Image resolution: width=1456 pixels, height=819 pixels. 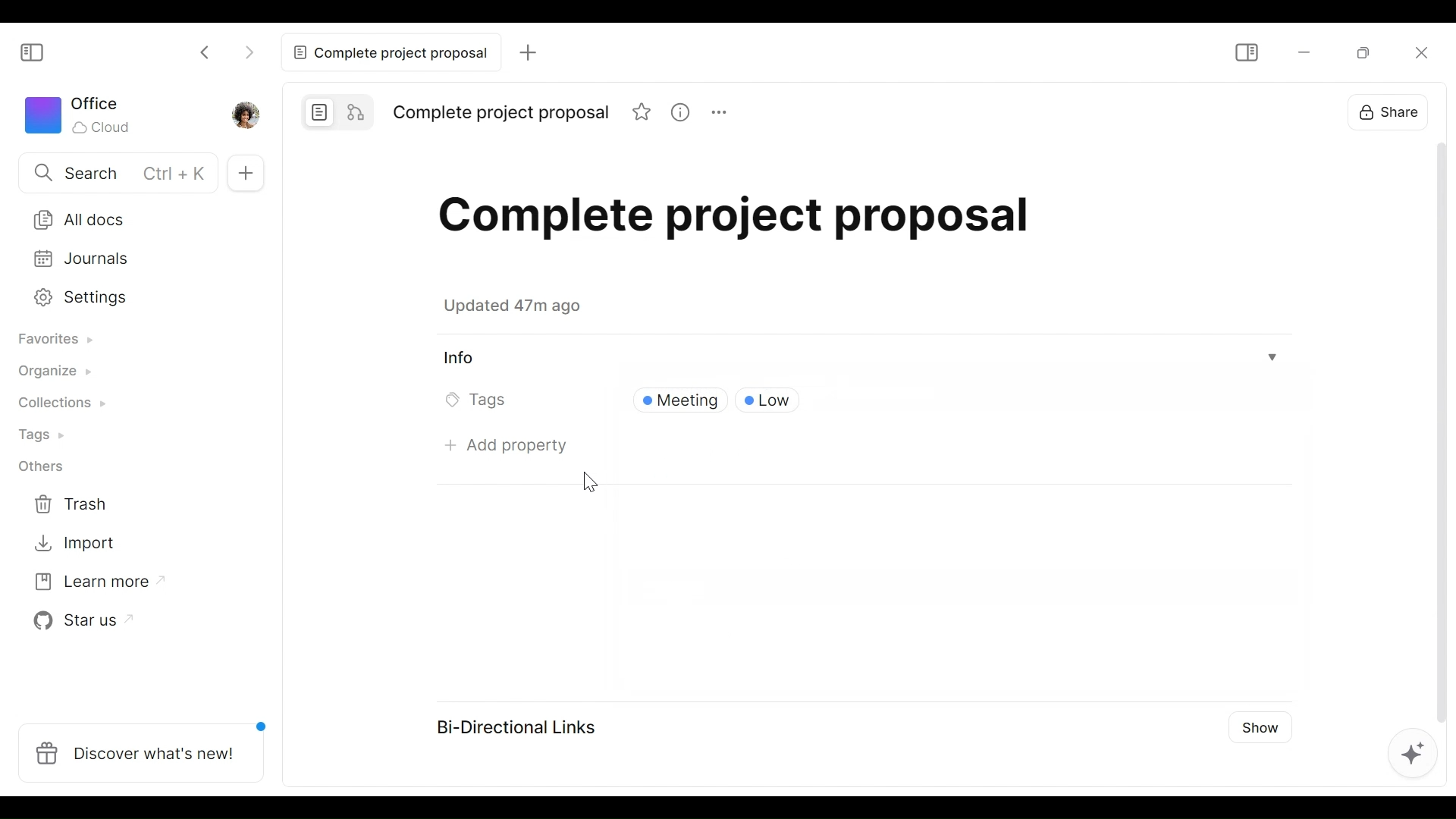 What do you see at coordinates (356, 110) in the screenshot?
I see `Edgeless mode` at bounding box center [356, 110].